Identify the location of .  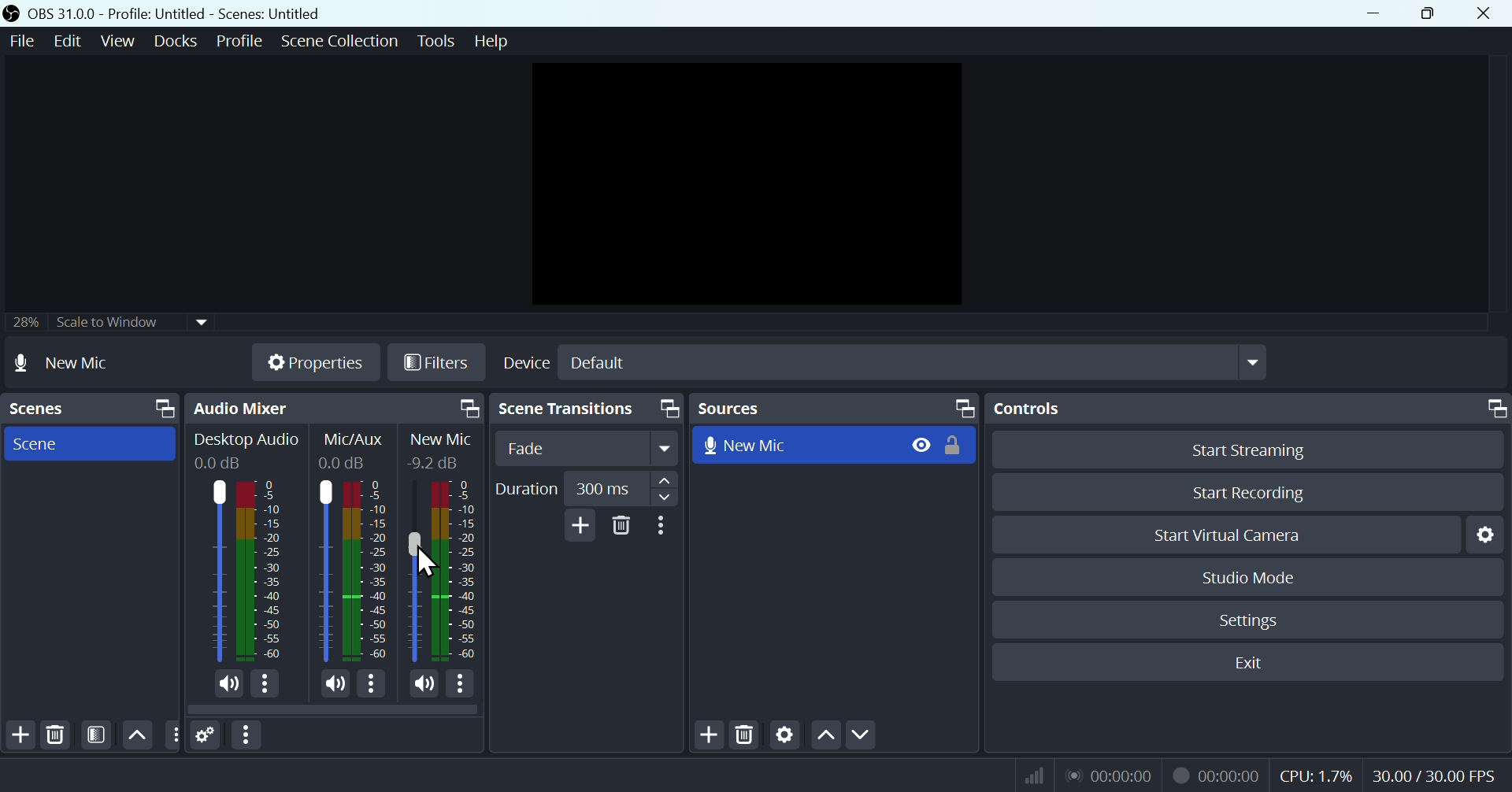
(1260, 449).